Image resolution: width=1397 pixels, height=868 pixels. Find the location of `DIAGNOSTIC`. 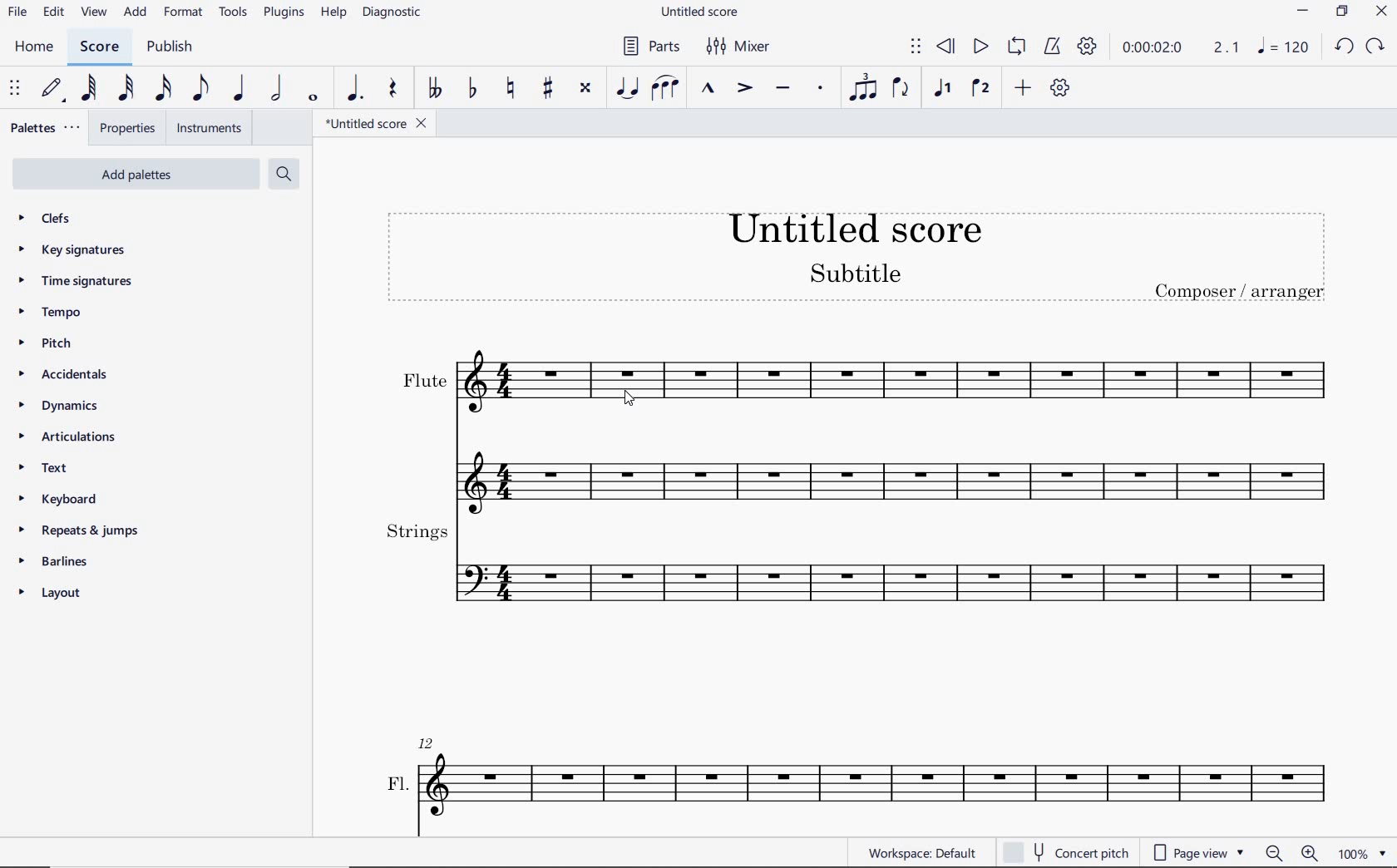

DIAGNOSTIC is located at coordinates (394, 13).